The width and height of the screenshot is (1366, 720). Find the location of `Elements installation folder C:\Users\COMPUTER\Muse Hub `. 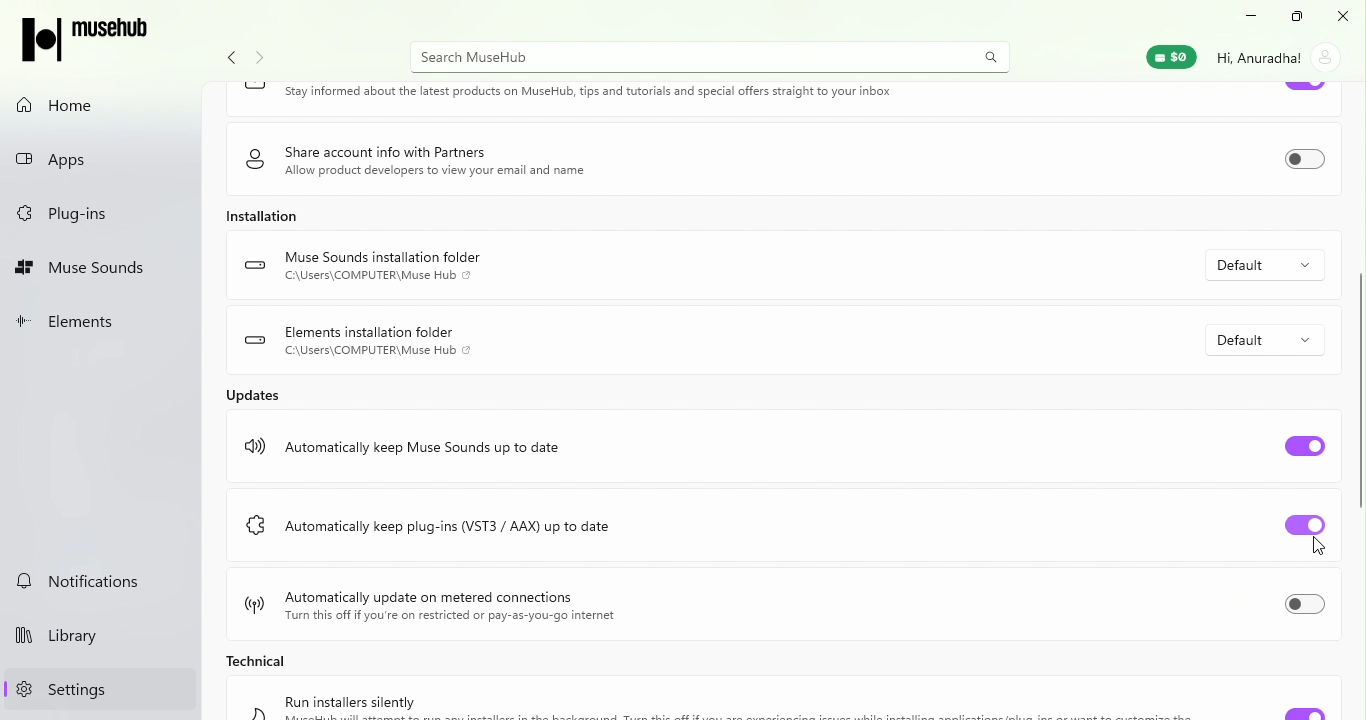

Elements installation folder C:\Users\COMPUTER\Muse Hub  is located at coordinates (379, 341).